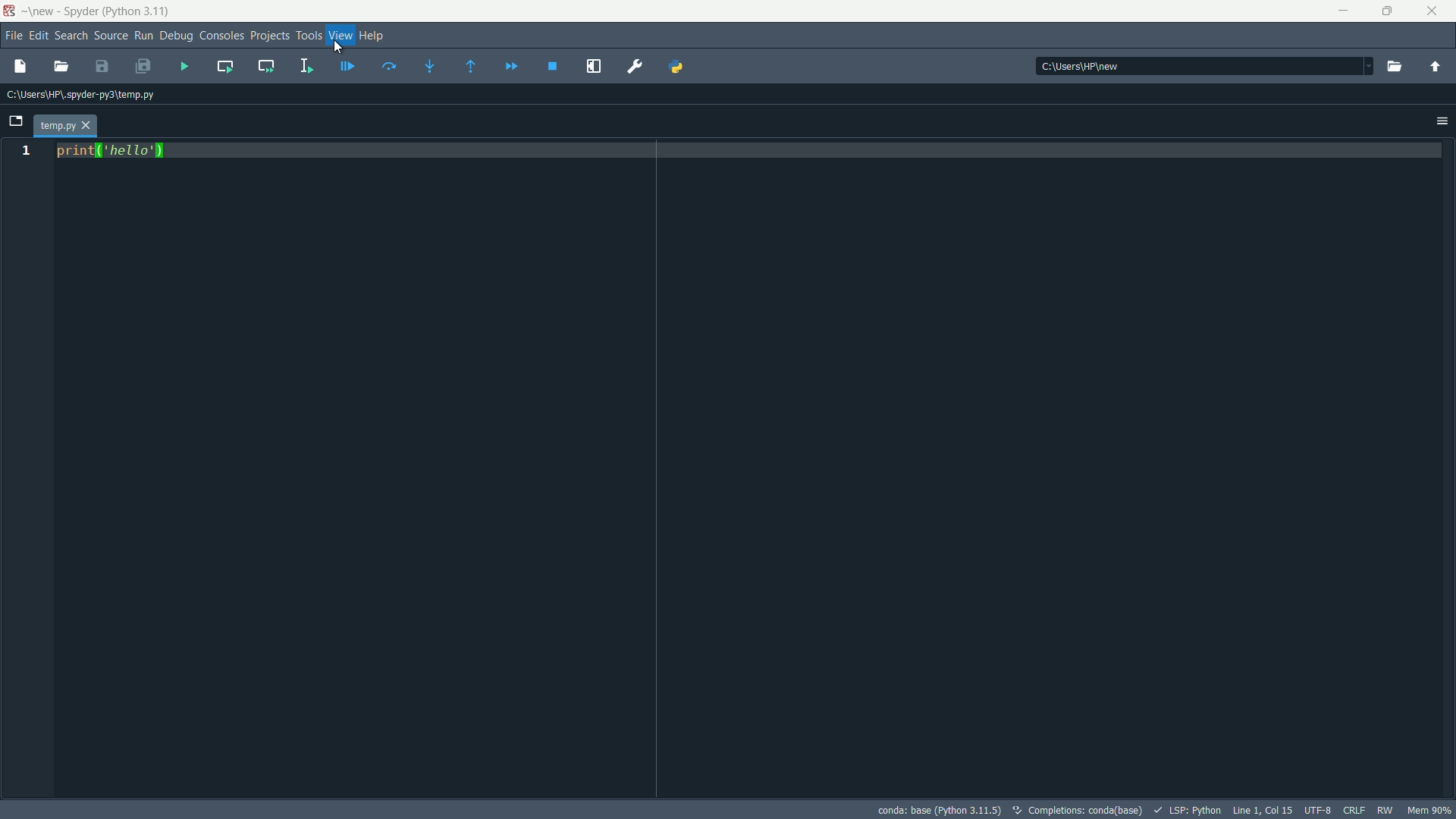 This screenshot has height=819, width=1456. I want to click on edit menu, so click(38, 36).